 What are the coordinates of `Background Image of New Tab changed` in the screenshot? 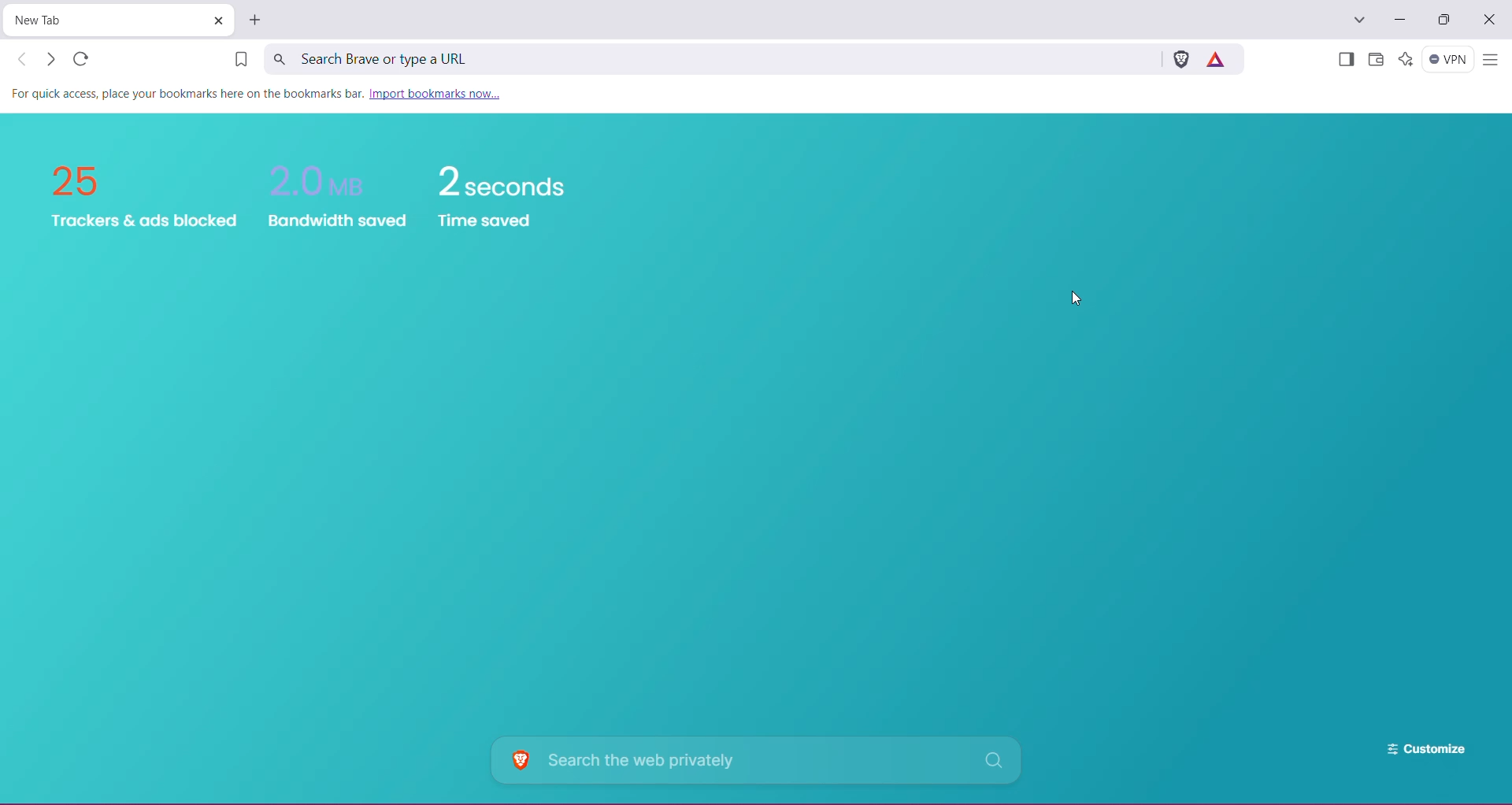 It's located at (757, 459).